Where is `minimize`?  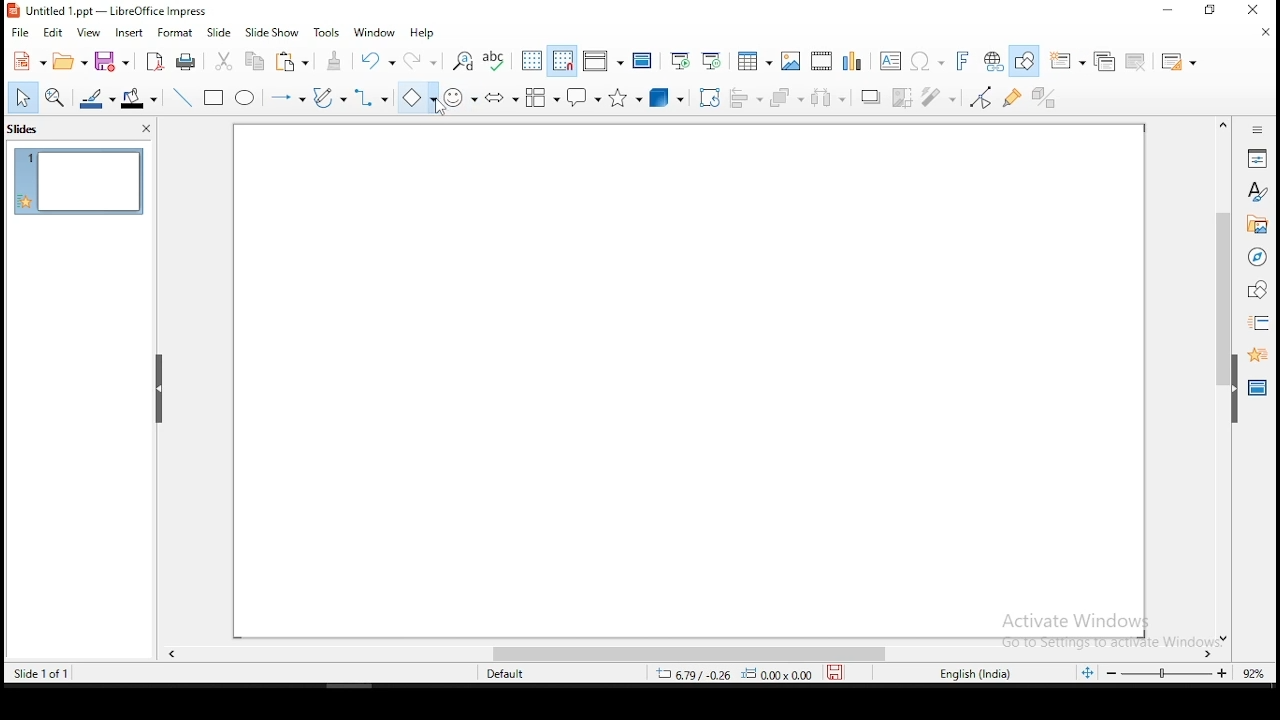 minimize is located at coordinates (1164, 12).